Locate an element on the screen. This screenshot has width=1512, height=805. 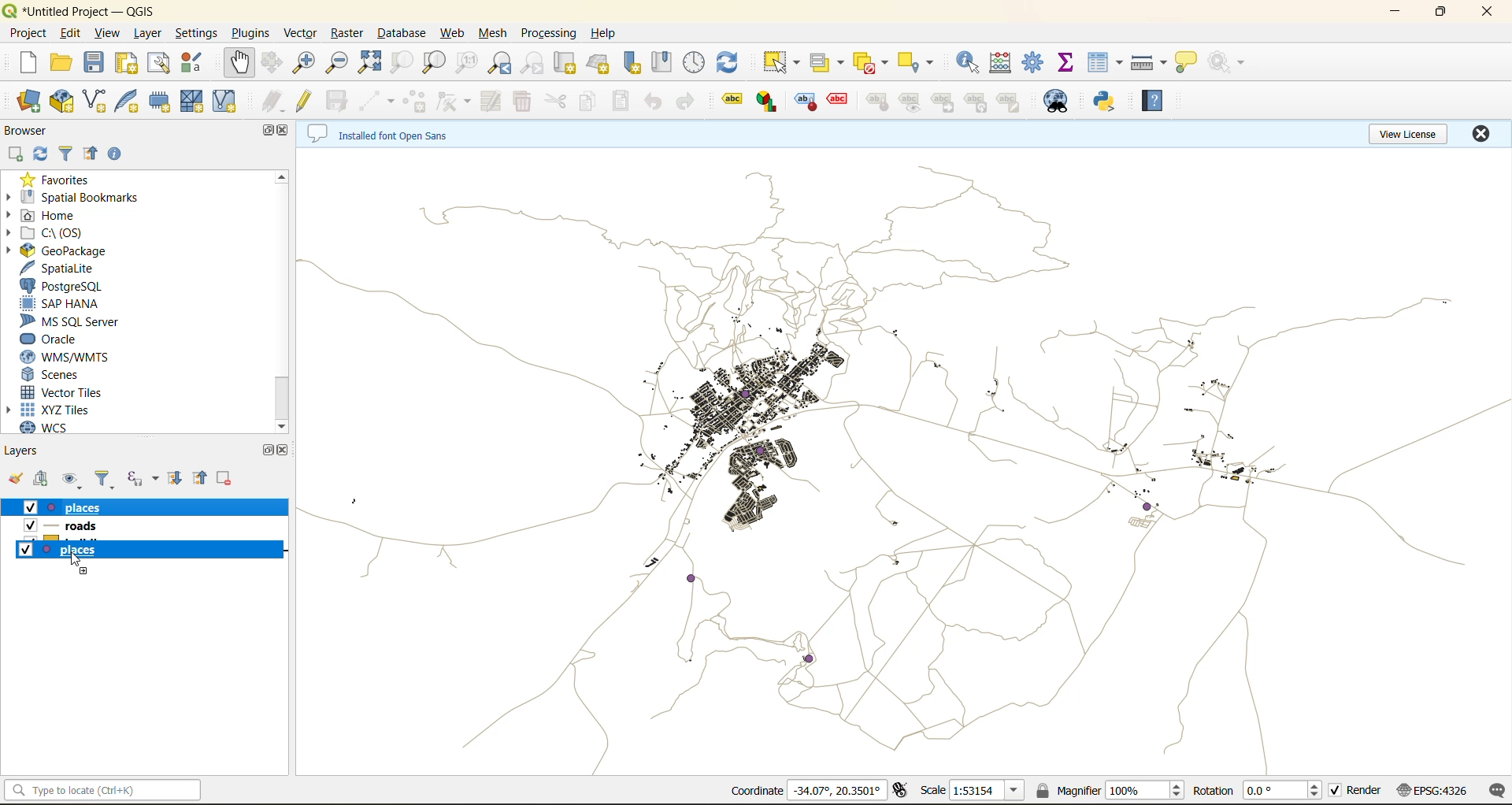
open calculator is located at coordinates (1005, 61).